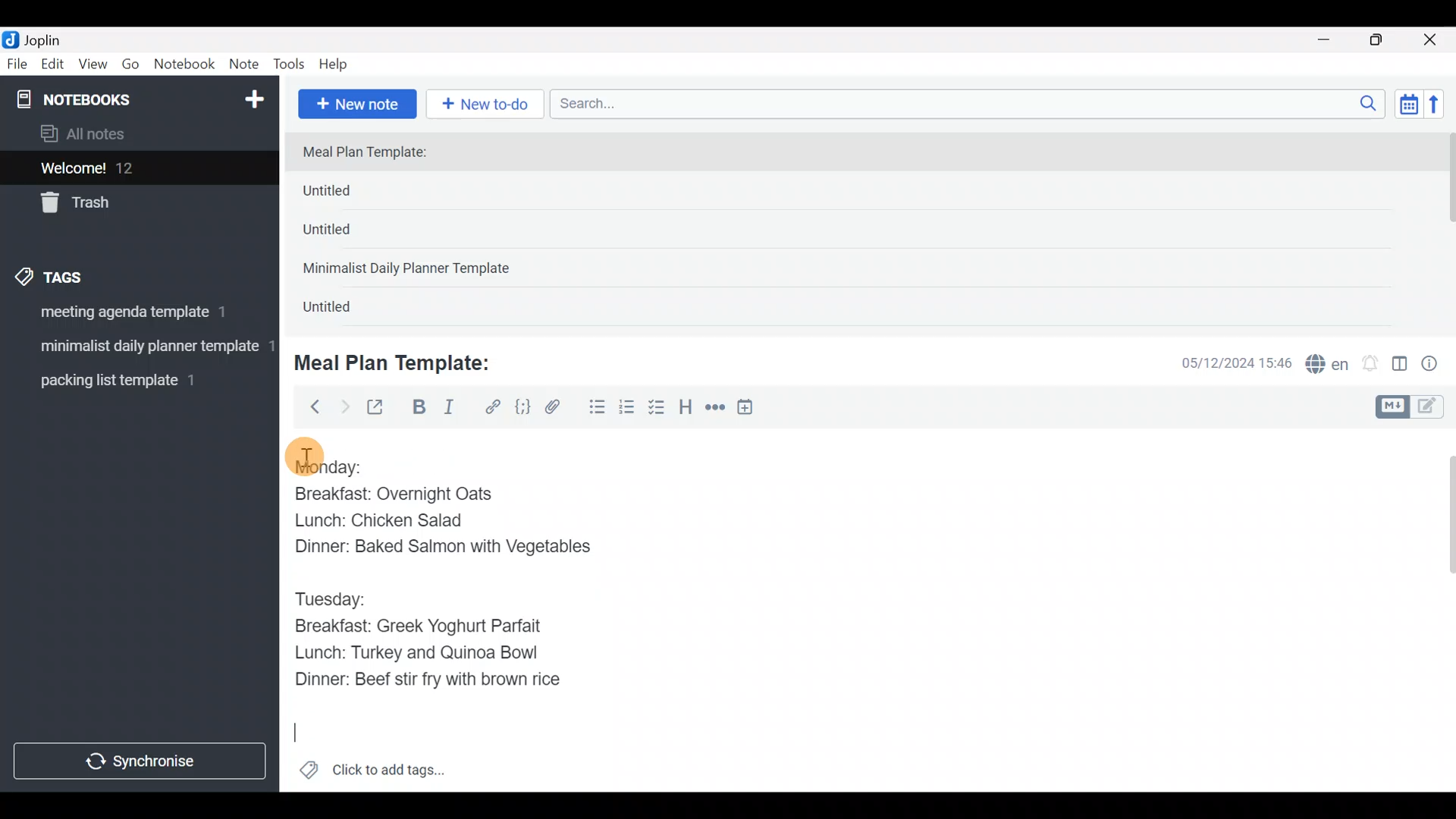  I want to click on Dinner: Baked Salmon with Vegetables, so click(443, 548).